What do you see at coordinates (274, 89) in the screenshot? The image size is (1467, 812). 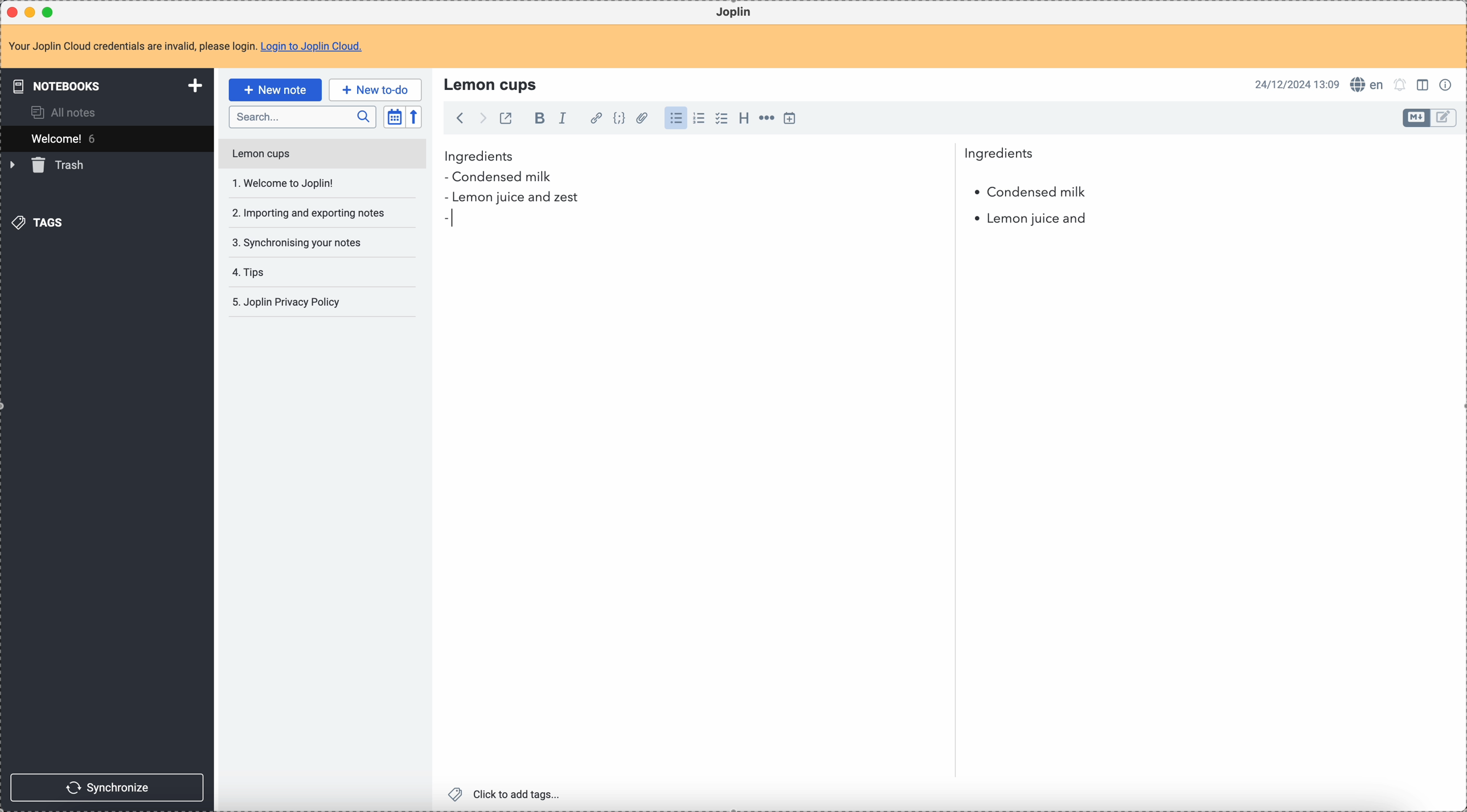 I see `click on new note` at bounding box center [274, 89].